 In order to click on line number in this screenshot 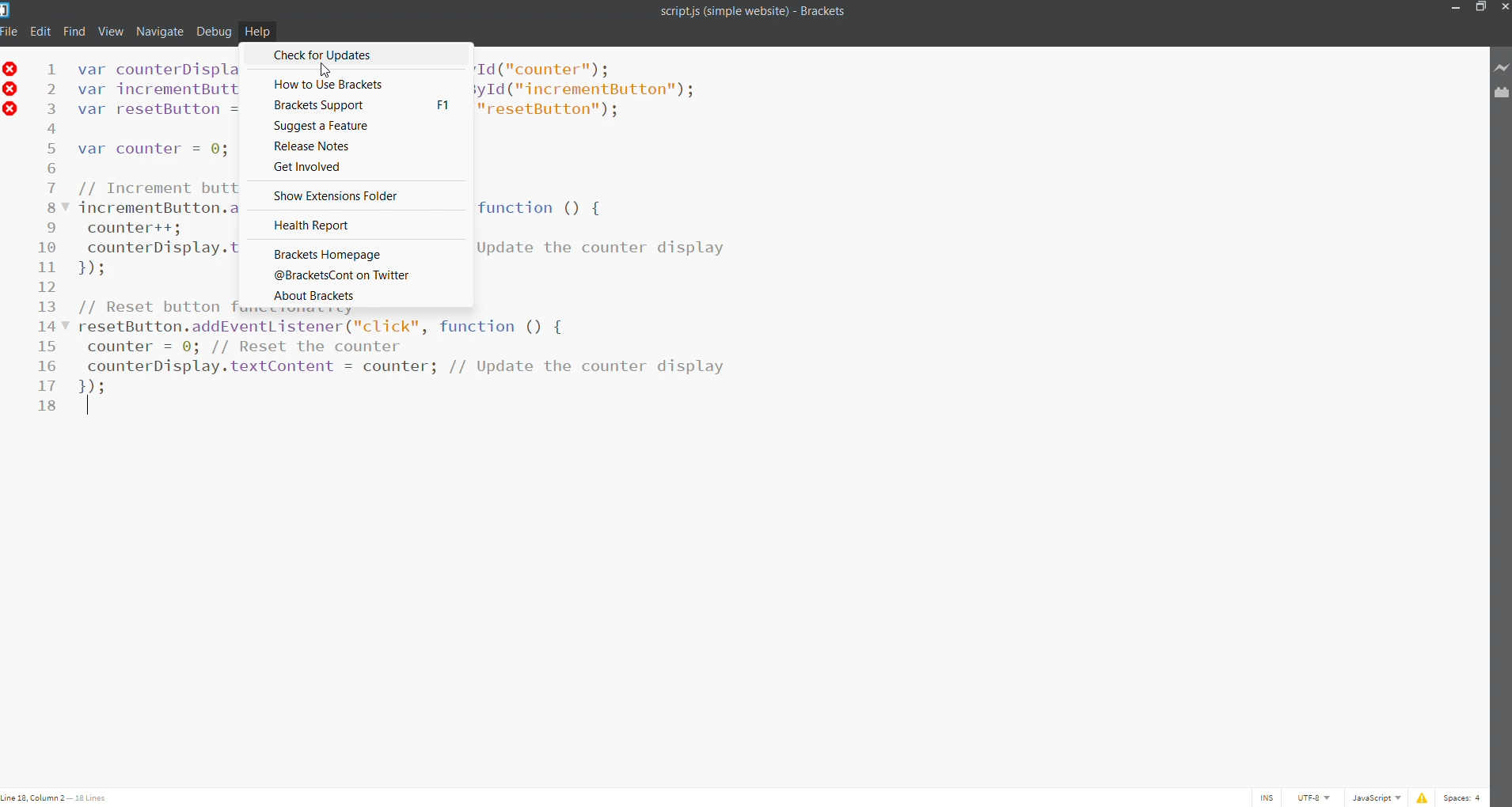, I will do `click(46, 247)`.